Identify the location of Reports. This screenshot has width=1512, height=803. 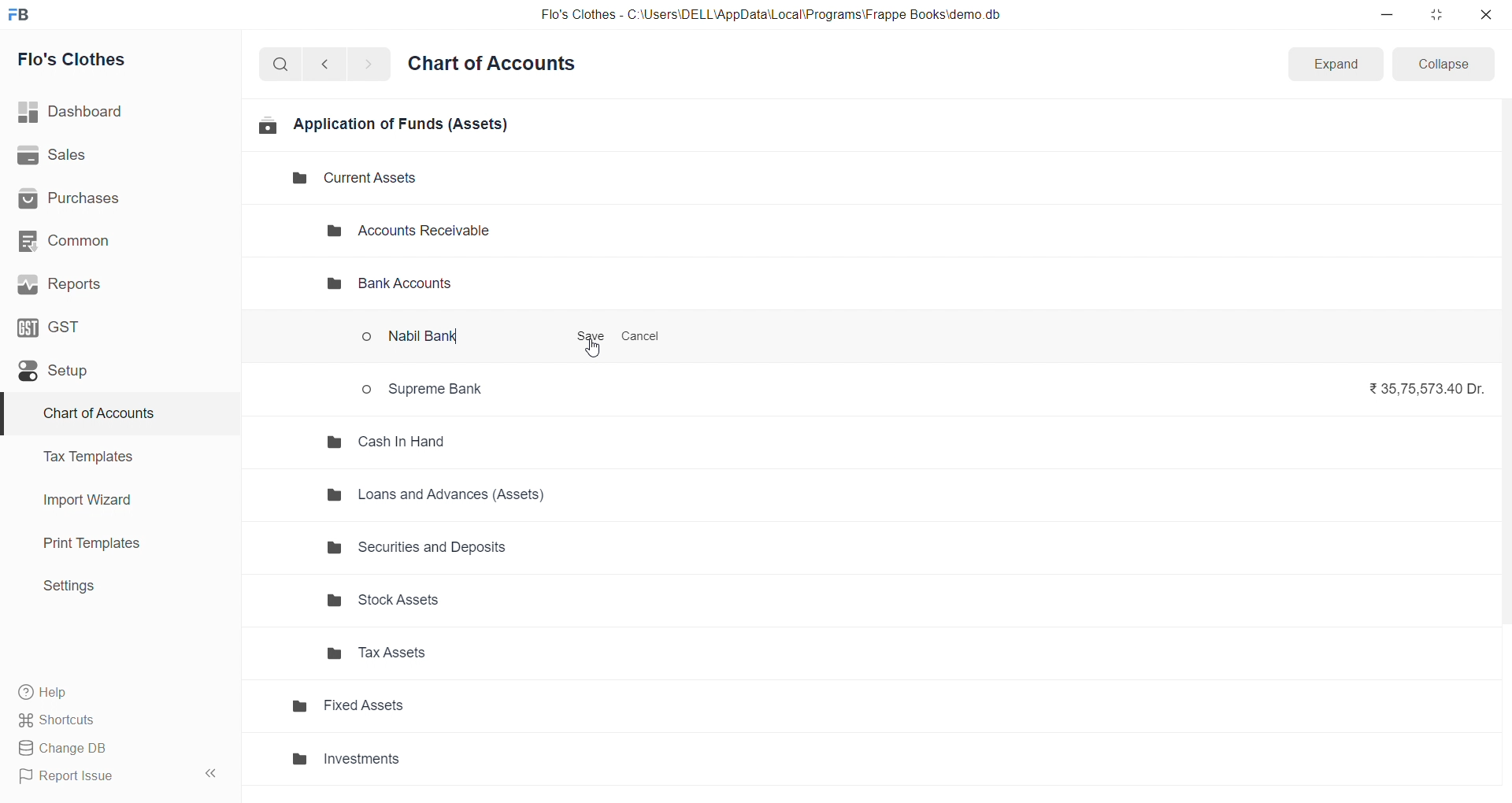
(113, 284).